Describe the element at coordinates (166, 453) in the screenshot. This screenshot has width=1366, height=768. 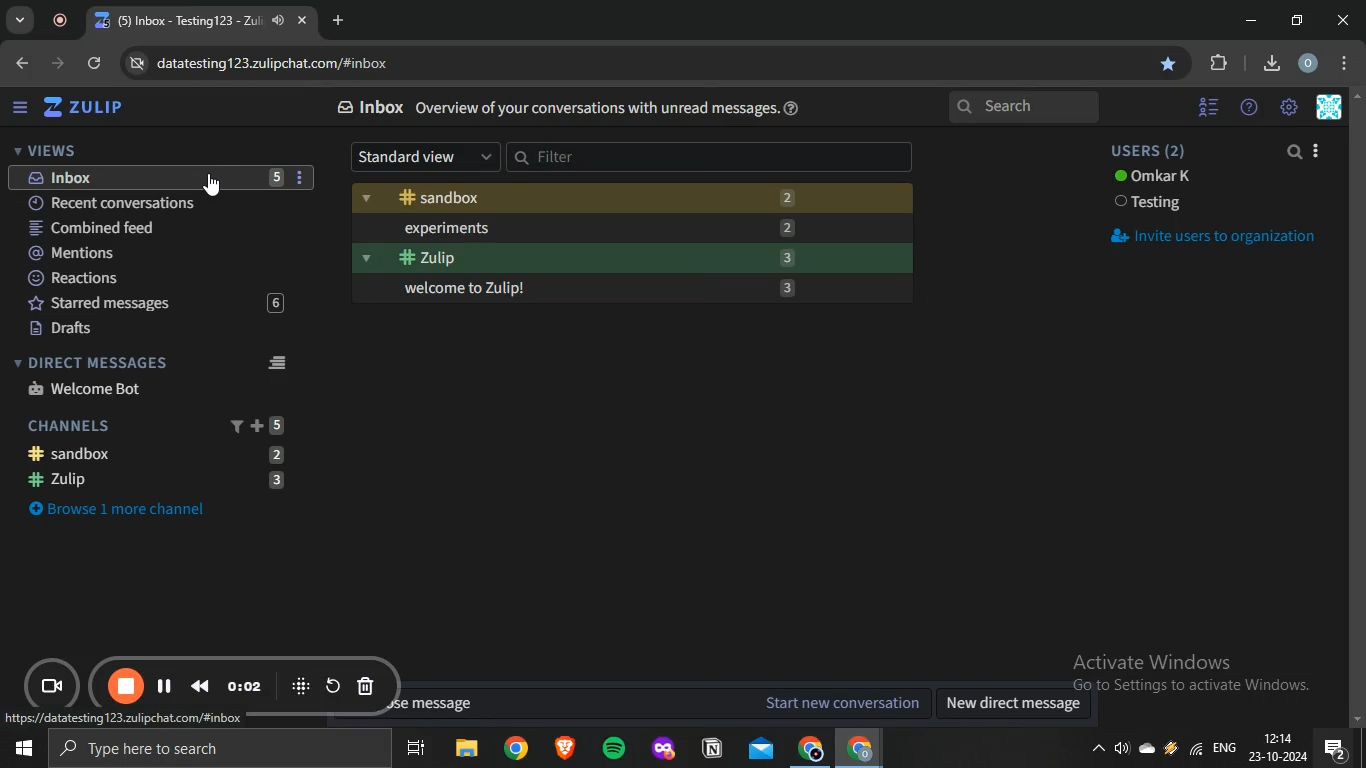
I see `sandbox` at that location.